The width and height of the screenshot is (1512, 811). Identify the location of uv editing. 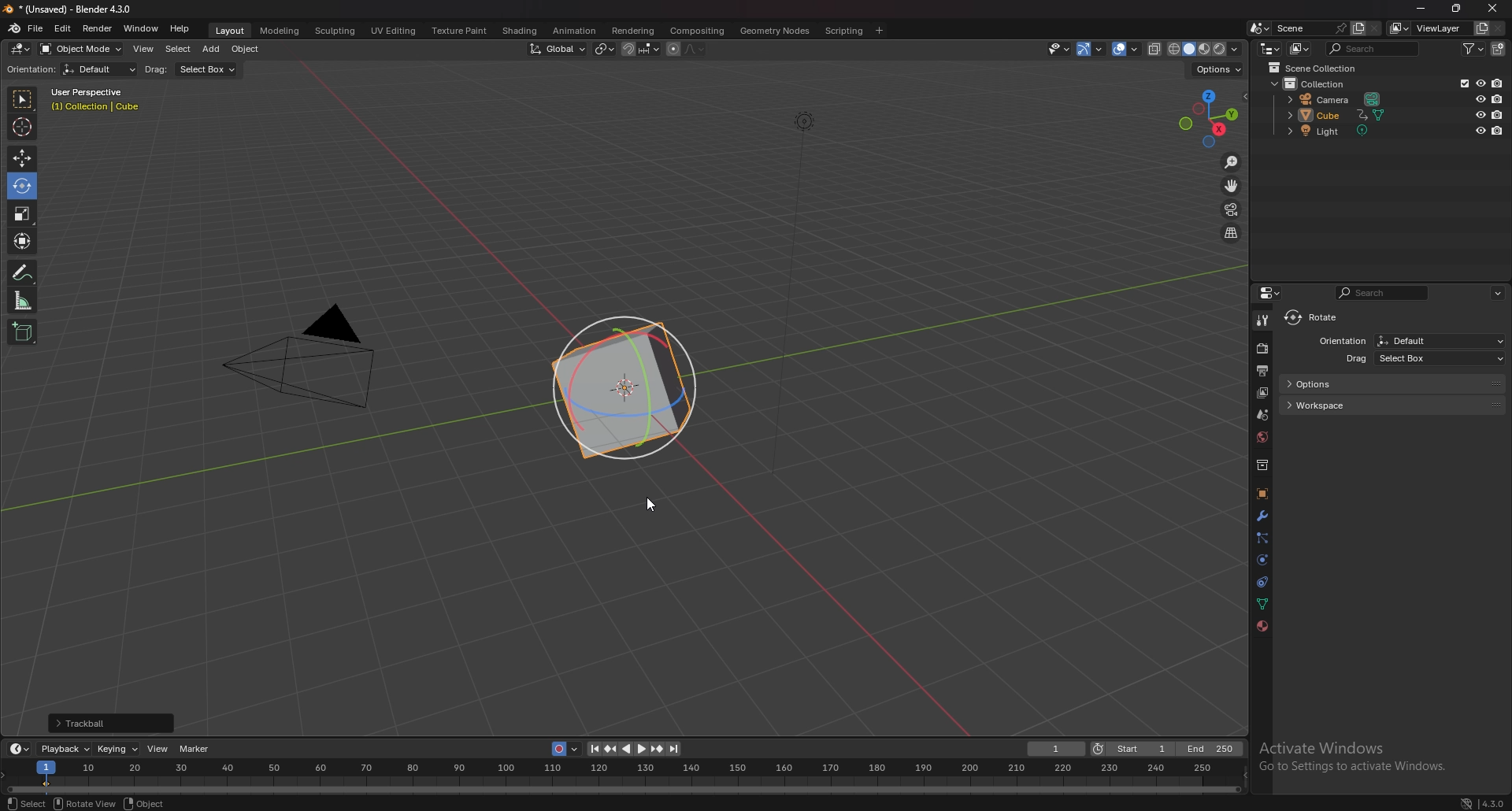
(394, 31).